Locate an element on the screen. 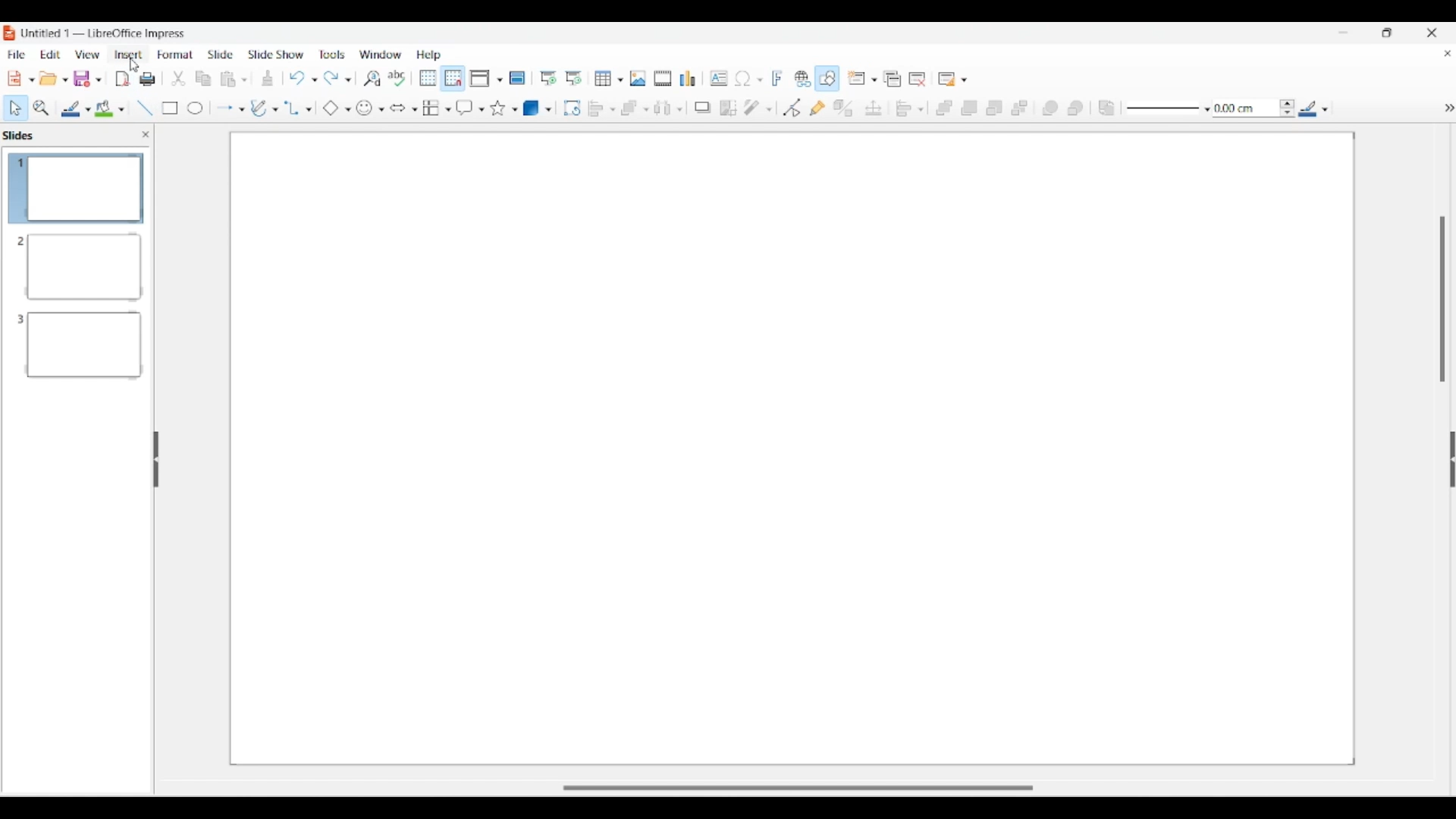 This screenshot has height=819, width=1456. Paste options  is located at coordinates (234, 80).